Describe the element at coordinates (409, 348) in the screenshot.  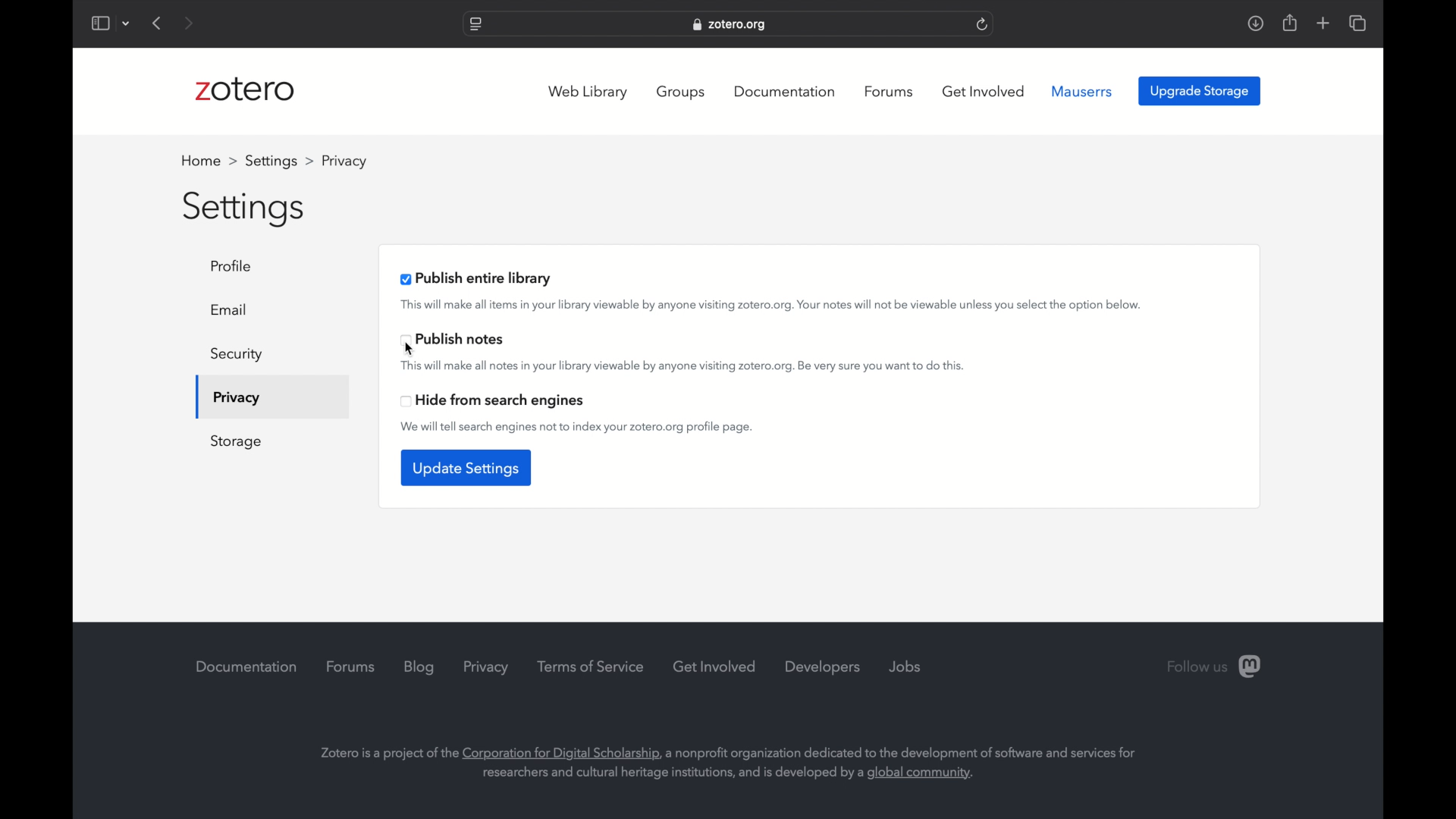
I see `cursor` at that location.